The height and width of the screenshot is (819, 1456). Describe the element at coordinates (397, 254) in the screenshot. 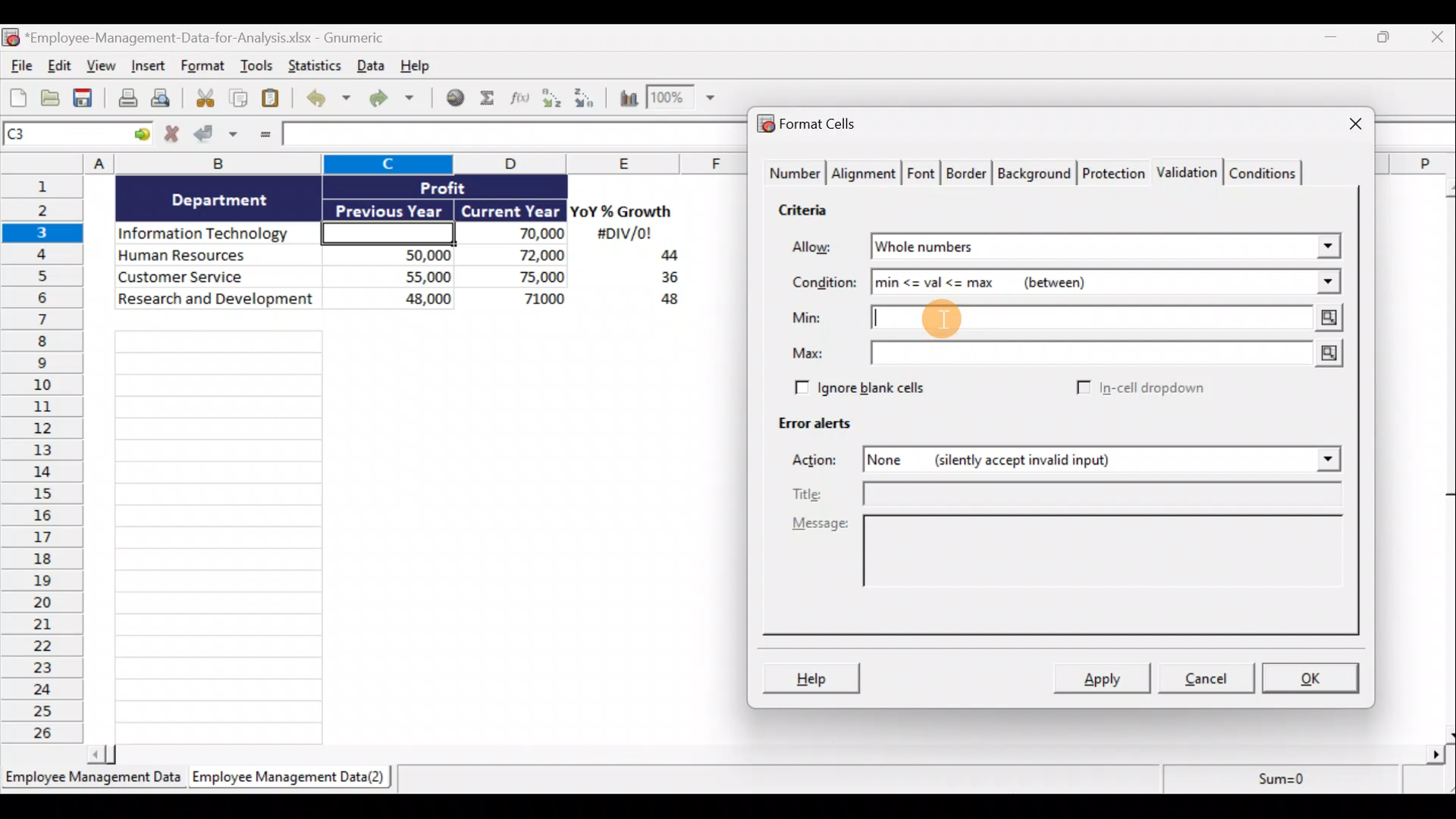

I see `50,000` at that location.